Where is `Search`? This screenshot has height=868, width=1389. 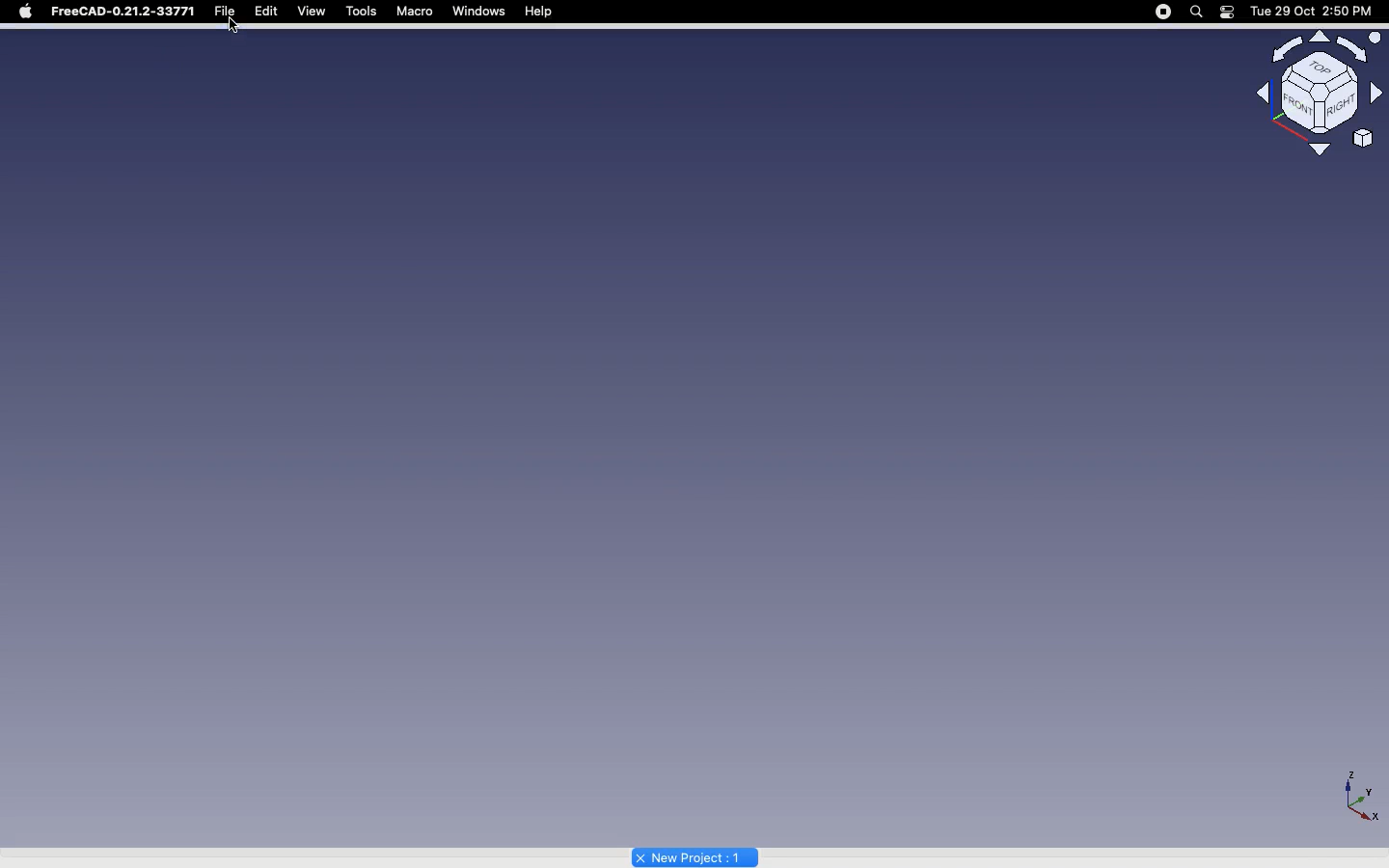 Search is located at coordinates (1197, 11).